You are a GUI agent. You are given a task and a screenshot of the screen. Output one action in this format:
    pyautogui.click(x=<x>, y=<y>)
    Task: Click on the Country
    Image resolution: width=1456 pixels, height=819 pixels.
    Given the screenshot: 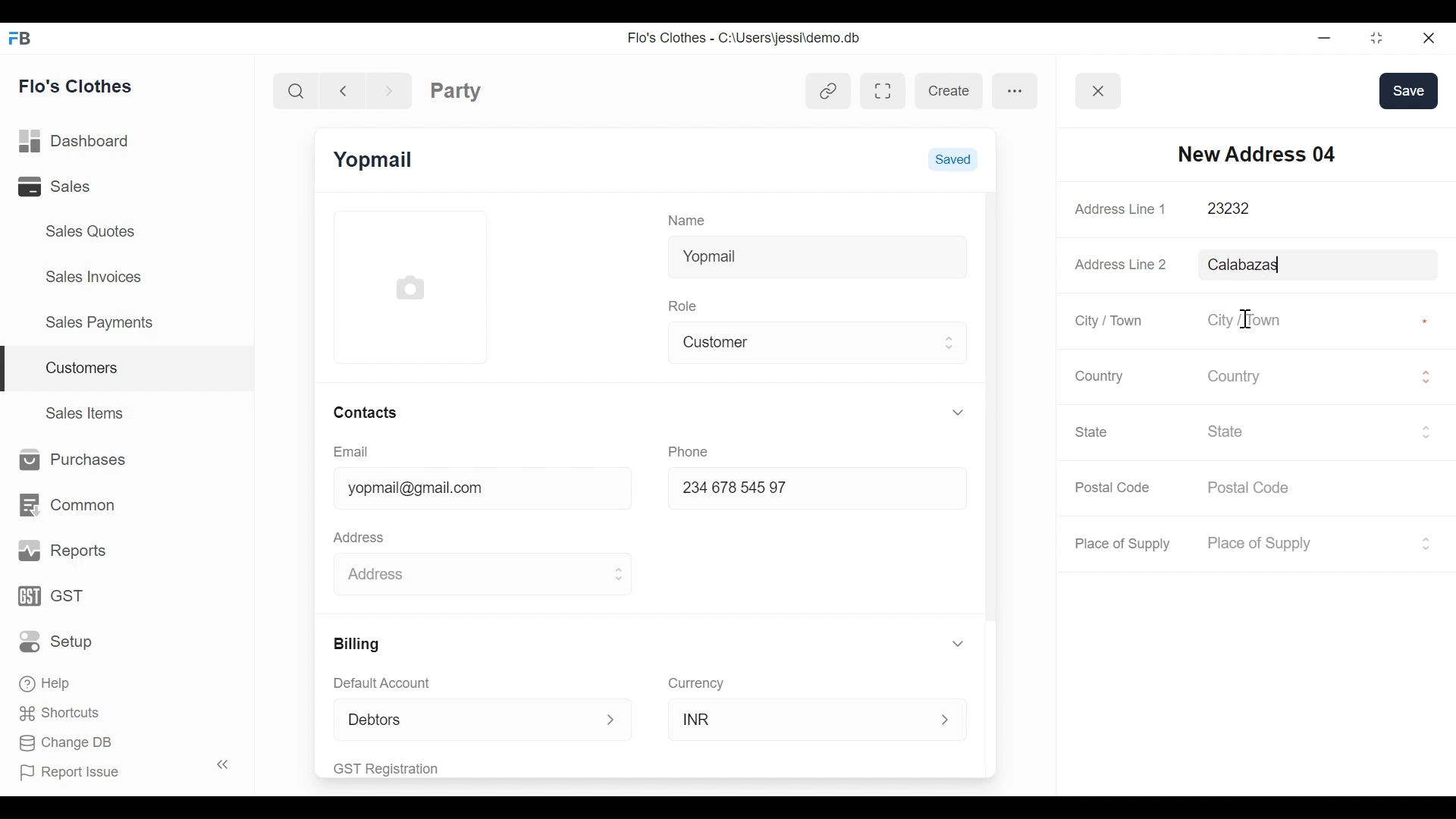 What is the action you would take?
    pyautogui.click(x=1097, y=375)
    